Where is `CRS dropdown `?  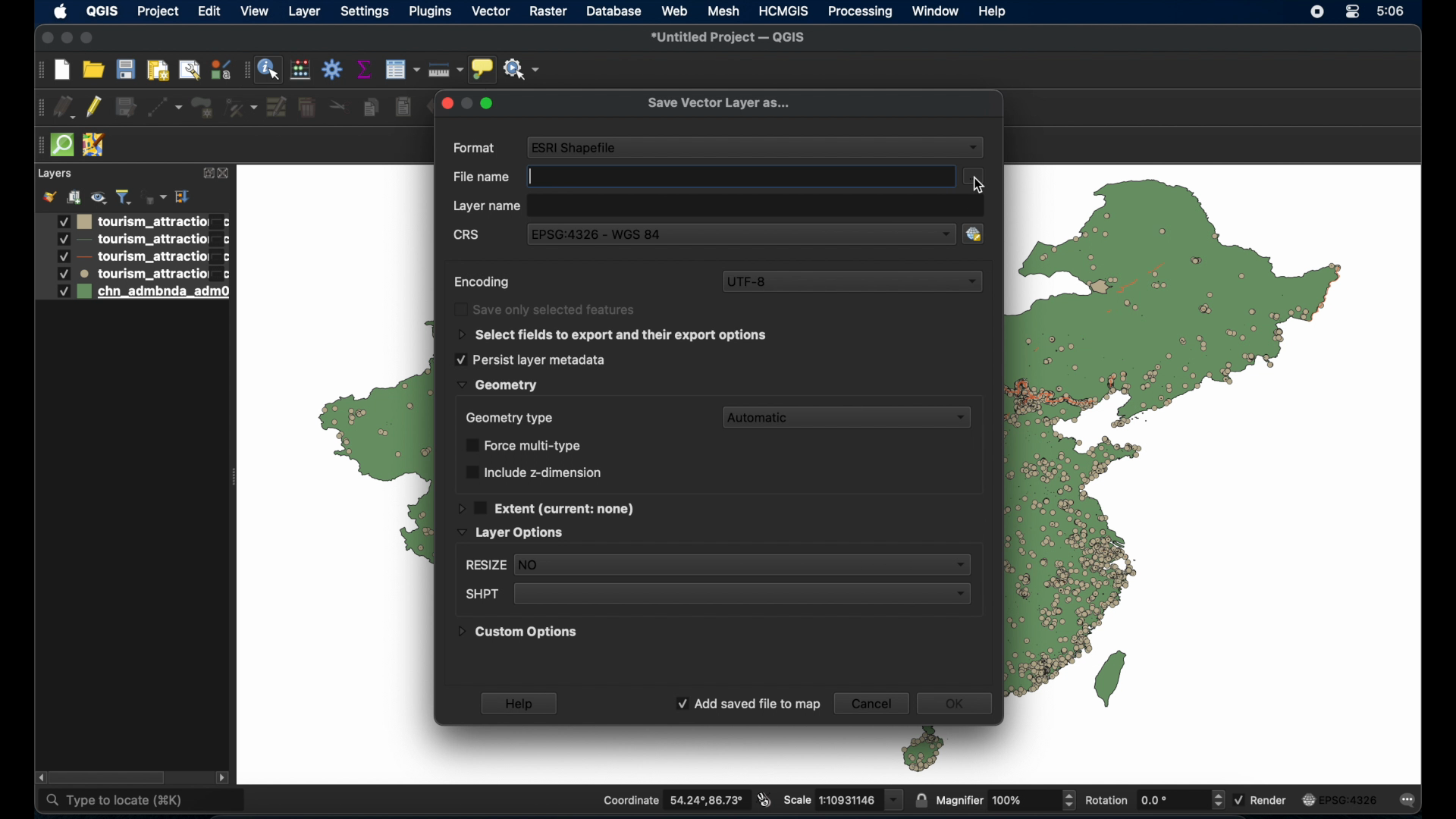 CRS dropdown  is located at coordinates (742, 236).